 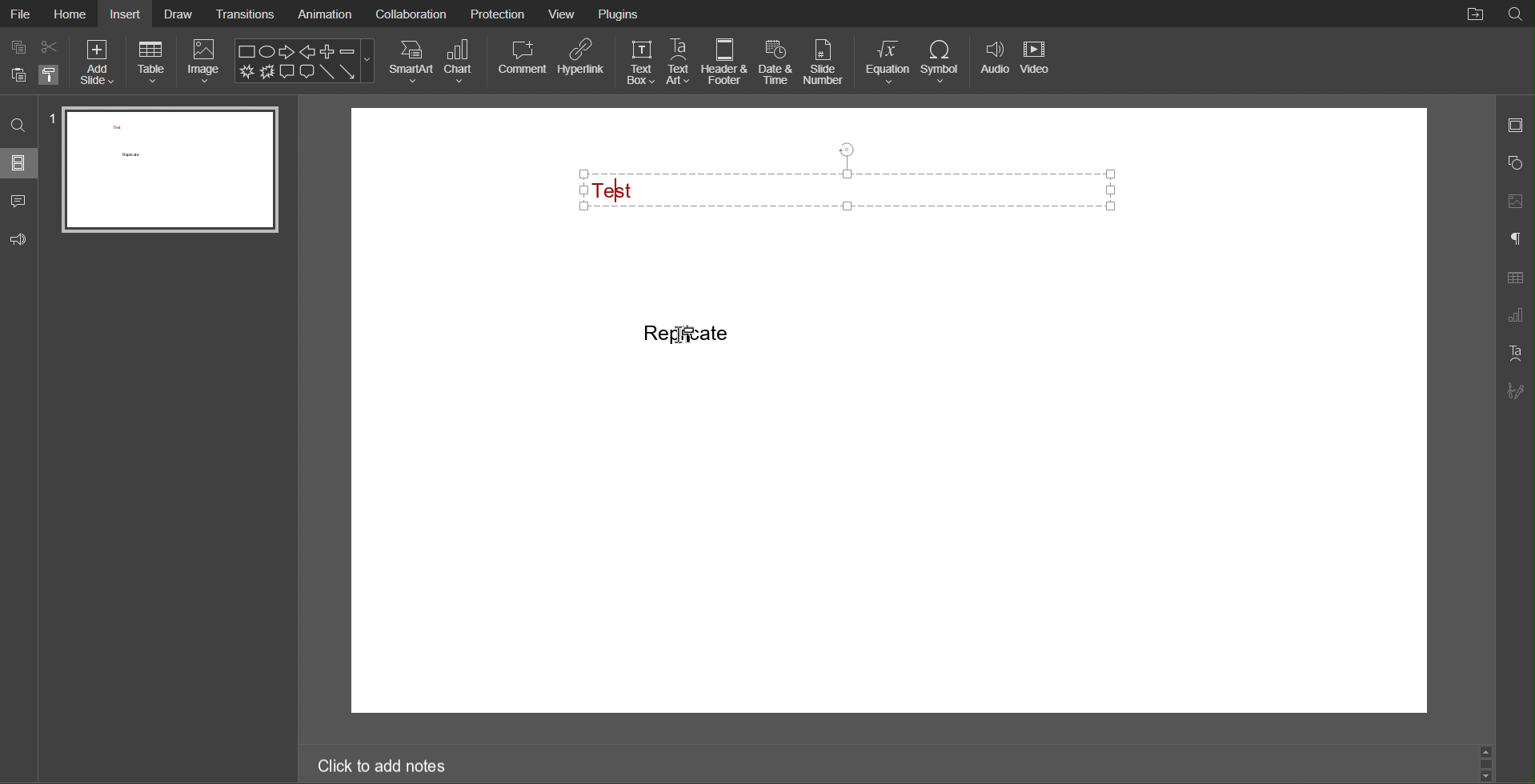 What do you see at coordinates (168, 170) in the screenshot?
I see `Slide 1` at bounding box center [168, 170].